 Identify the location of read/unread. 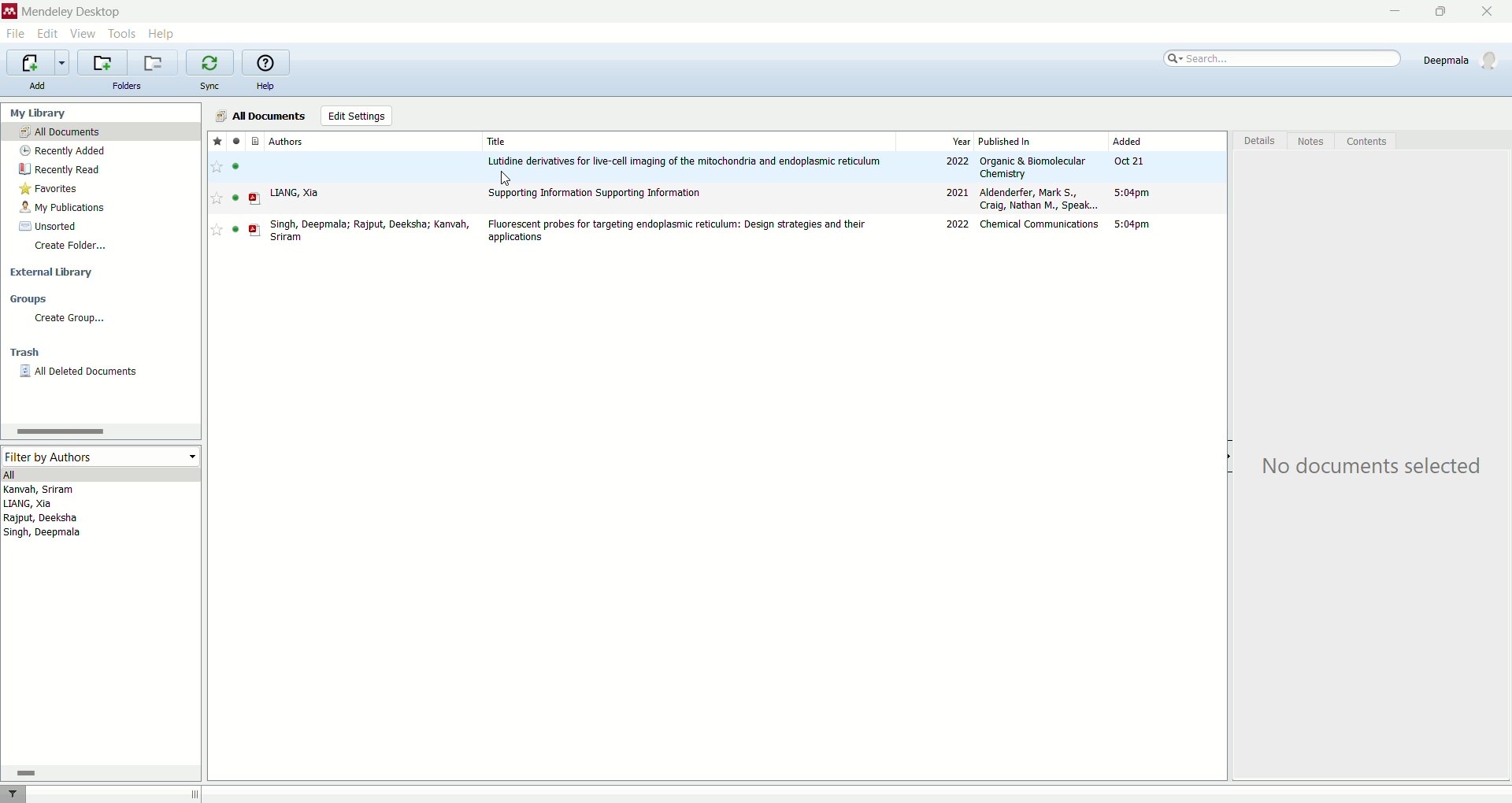
(239, 198).